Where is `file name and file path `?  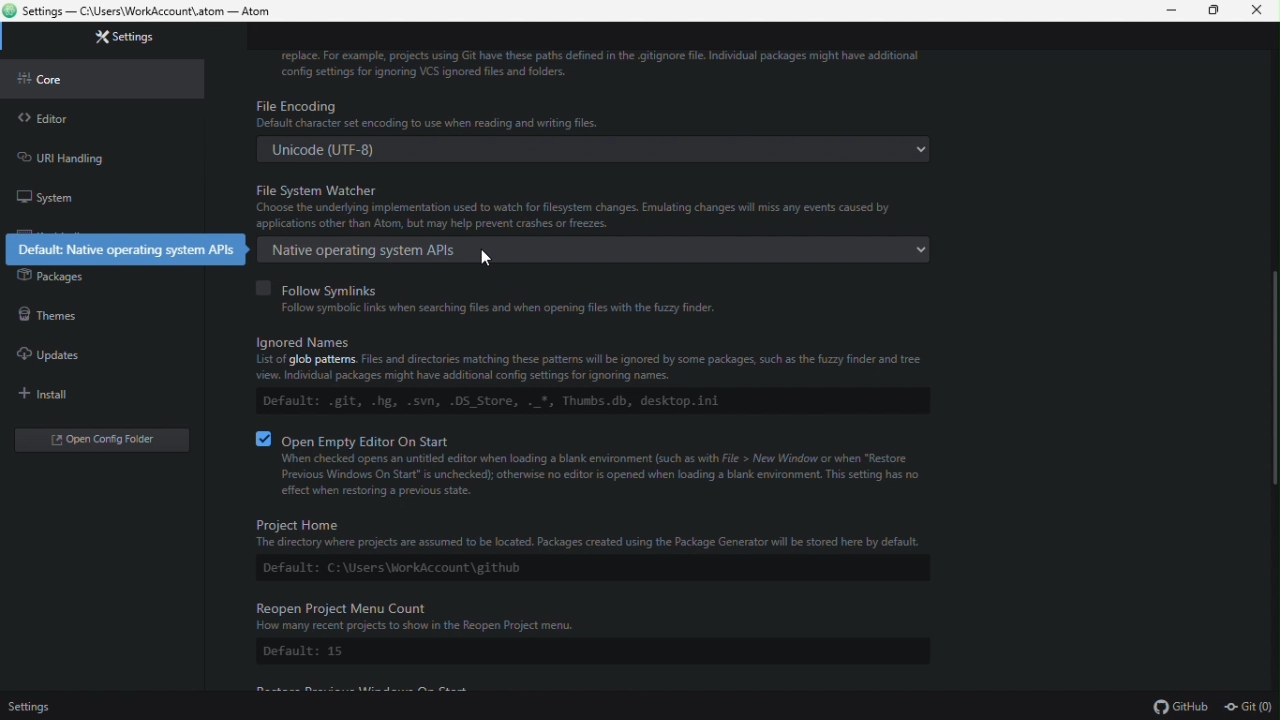 file name and file path  is located at coordinates (143, 10).